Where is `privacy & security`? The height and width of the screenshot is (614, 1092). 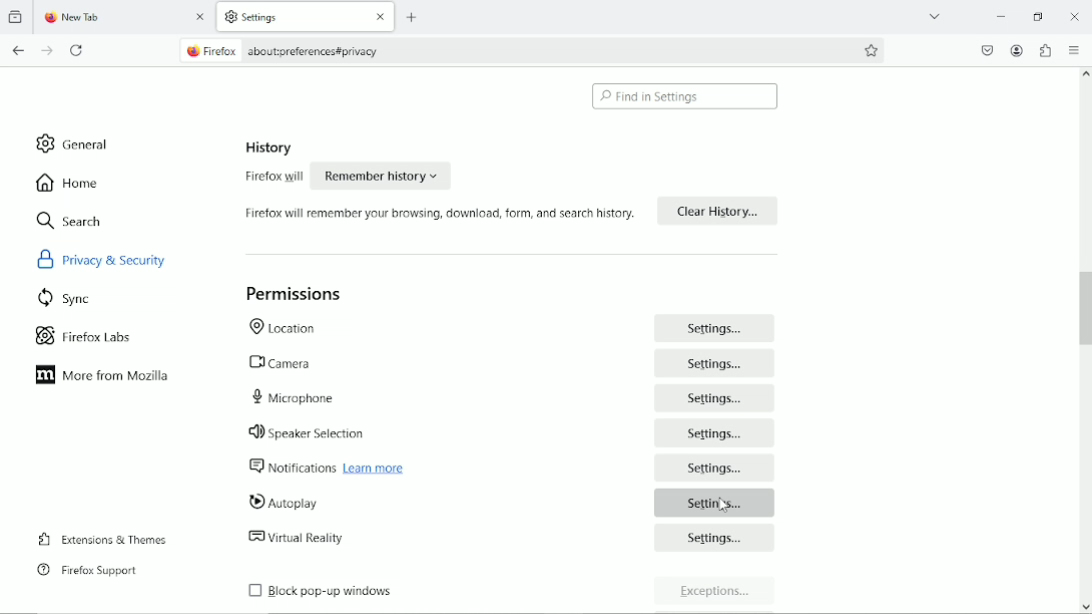
privacy & security is located at coordinates (126, 258).